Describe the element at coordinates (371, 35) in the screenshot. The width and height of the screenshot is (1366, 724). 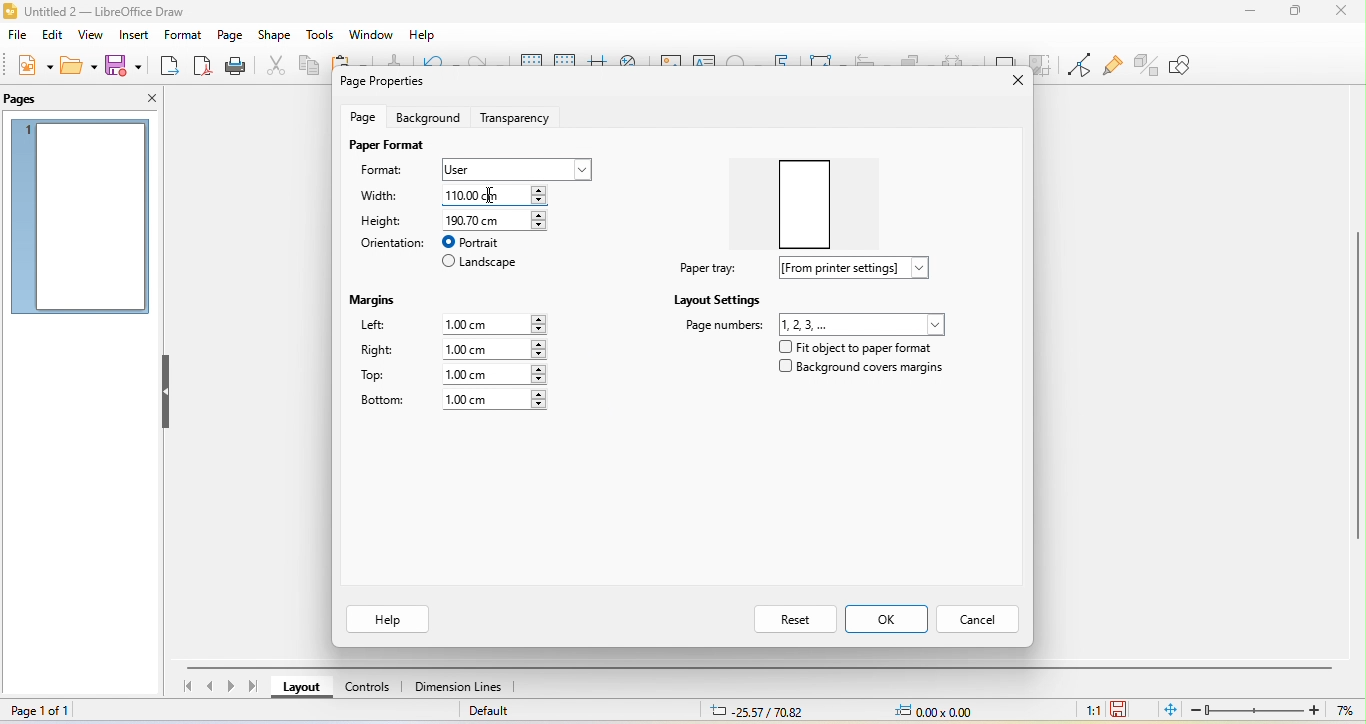
I see `window` at that location.